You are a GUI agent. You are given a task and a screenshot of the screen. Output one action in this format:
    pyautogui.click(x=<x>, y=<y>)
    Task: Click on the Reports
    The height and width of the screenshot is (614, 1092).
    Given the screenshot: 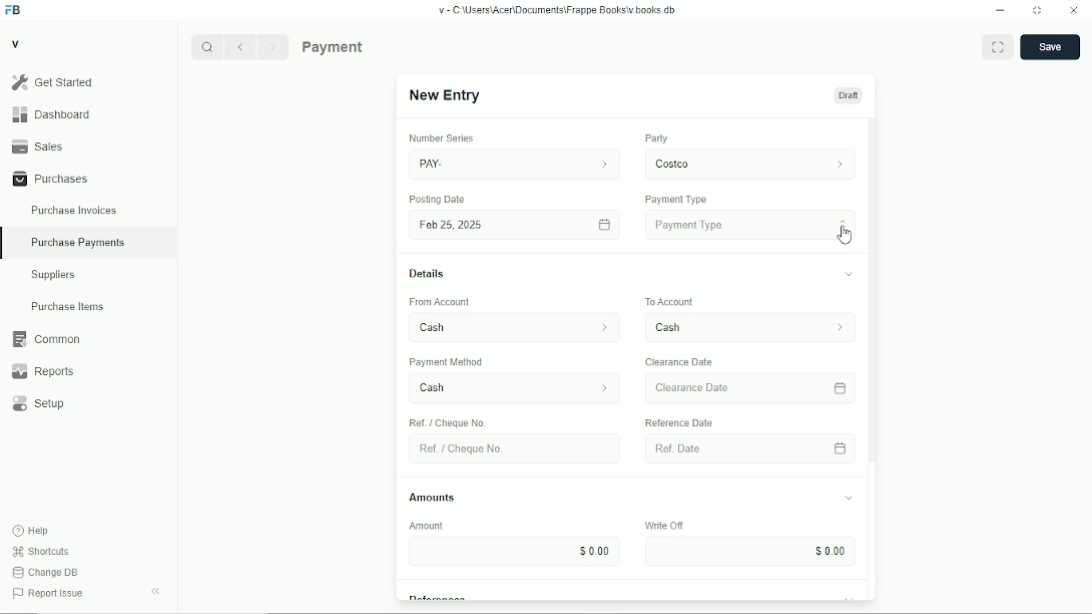 What is the action you would take?
    pyautogui.click(x=89, y=371)
    